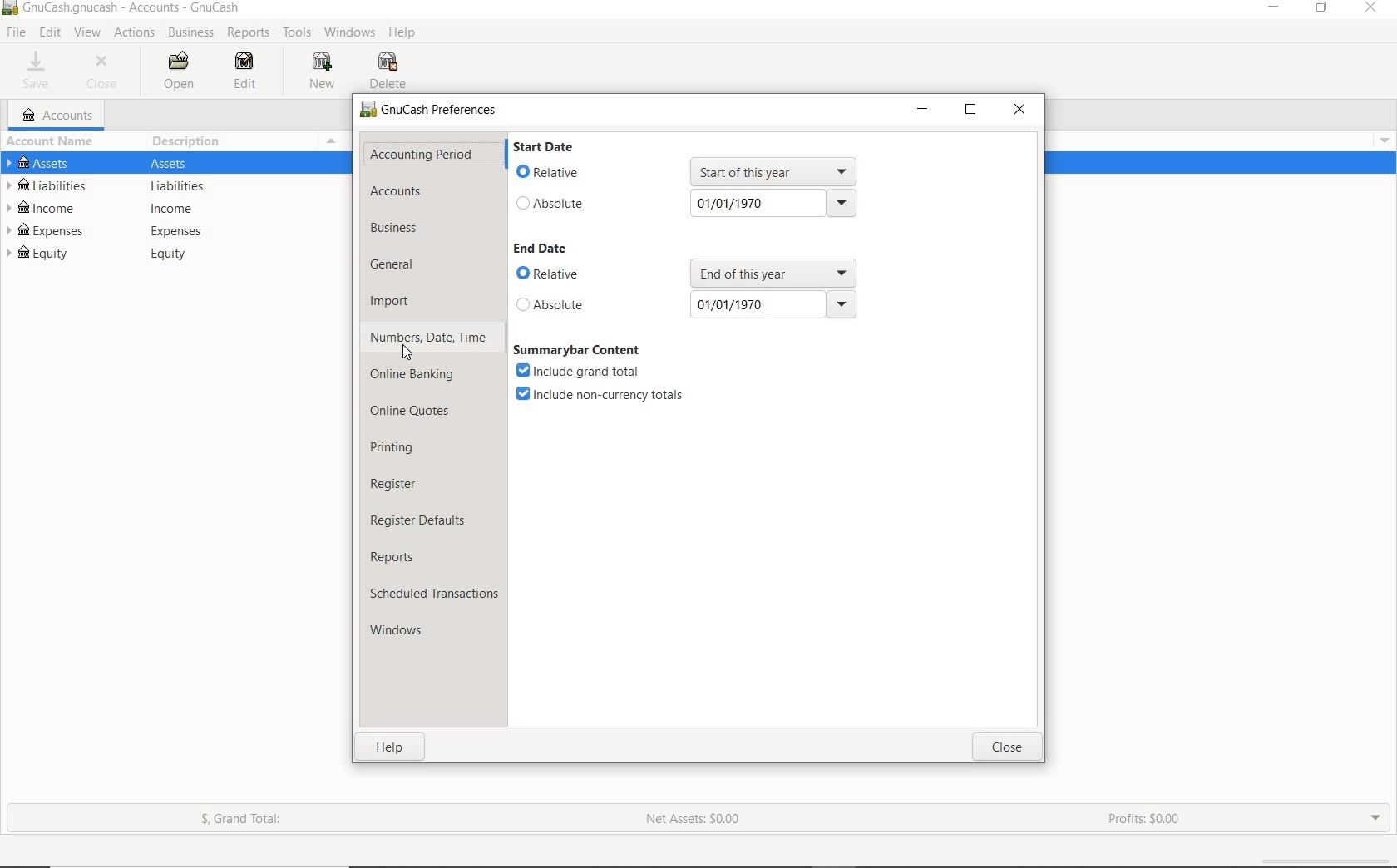  What do you see at coordinates (924, 111) in the screenshot?
I see `minimize` at bounding box center [924, 111].